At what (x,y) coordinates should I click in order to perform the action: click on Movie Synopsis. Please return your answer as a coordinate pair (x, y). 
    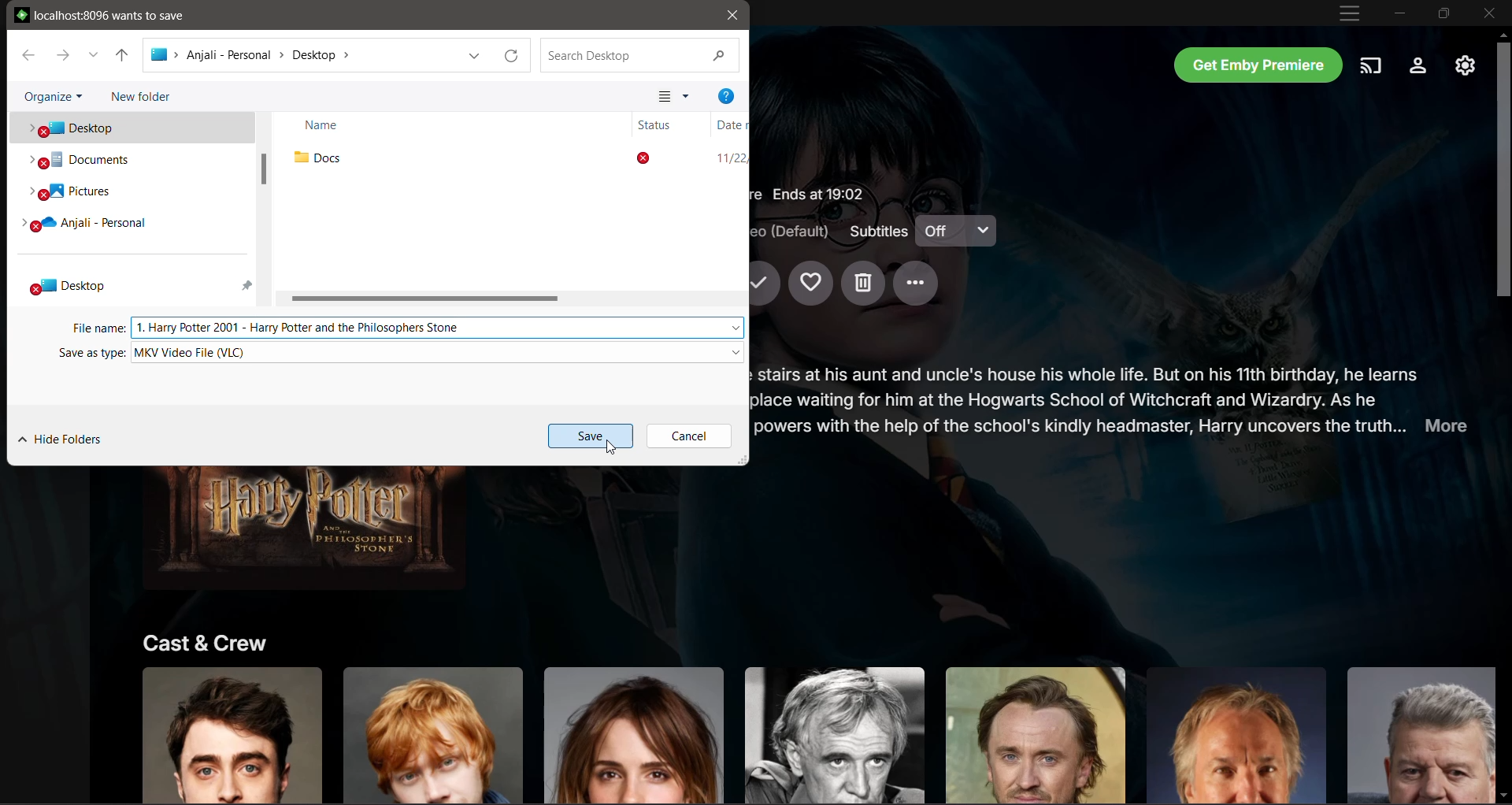
    Looking at the image, I should click on (1114, 398).